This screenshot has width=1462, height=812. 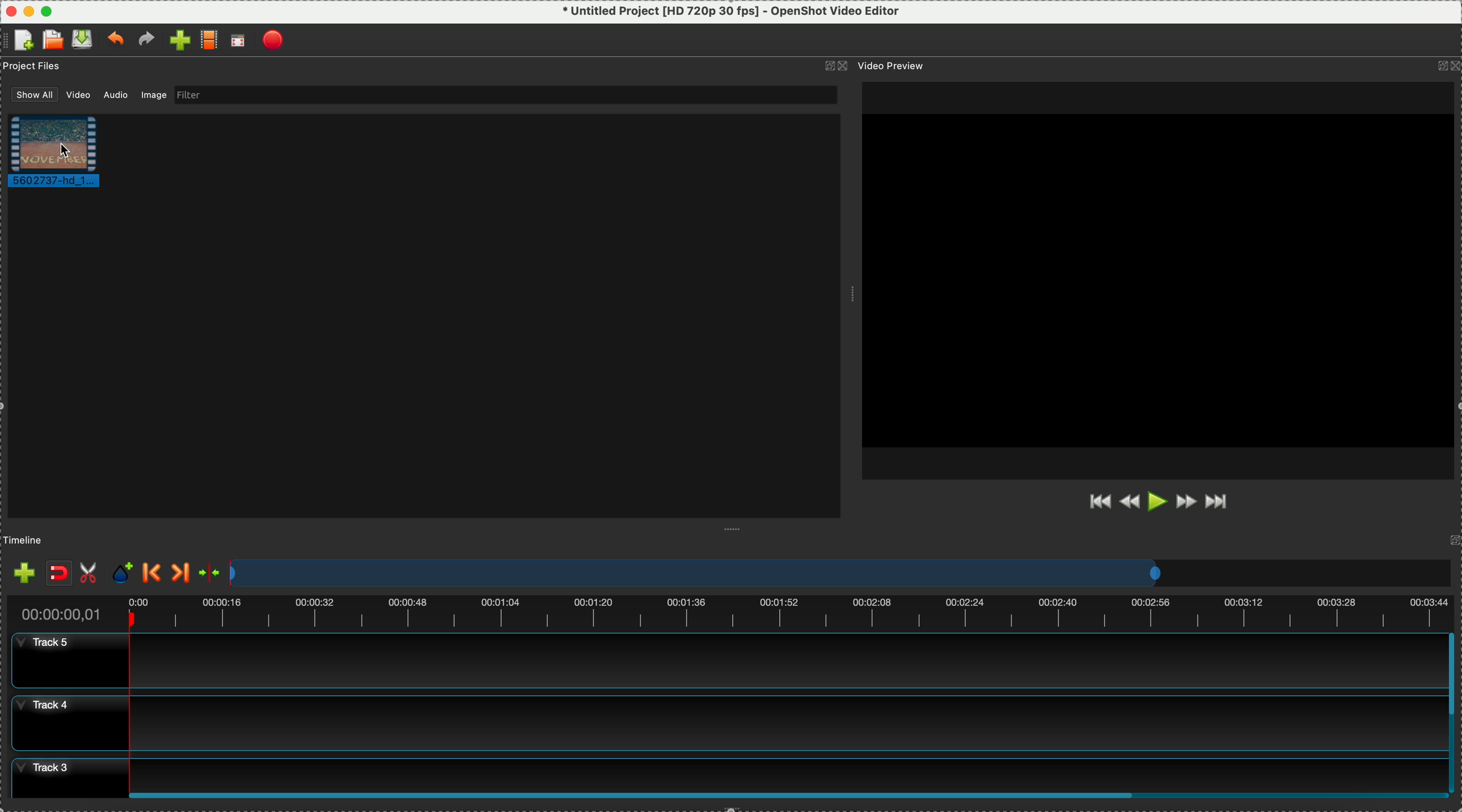 I want to click on project files, so click(x=33, y=68).